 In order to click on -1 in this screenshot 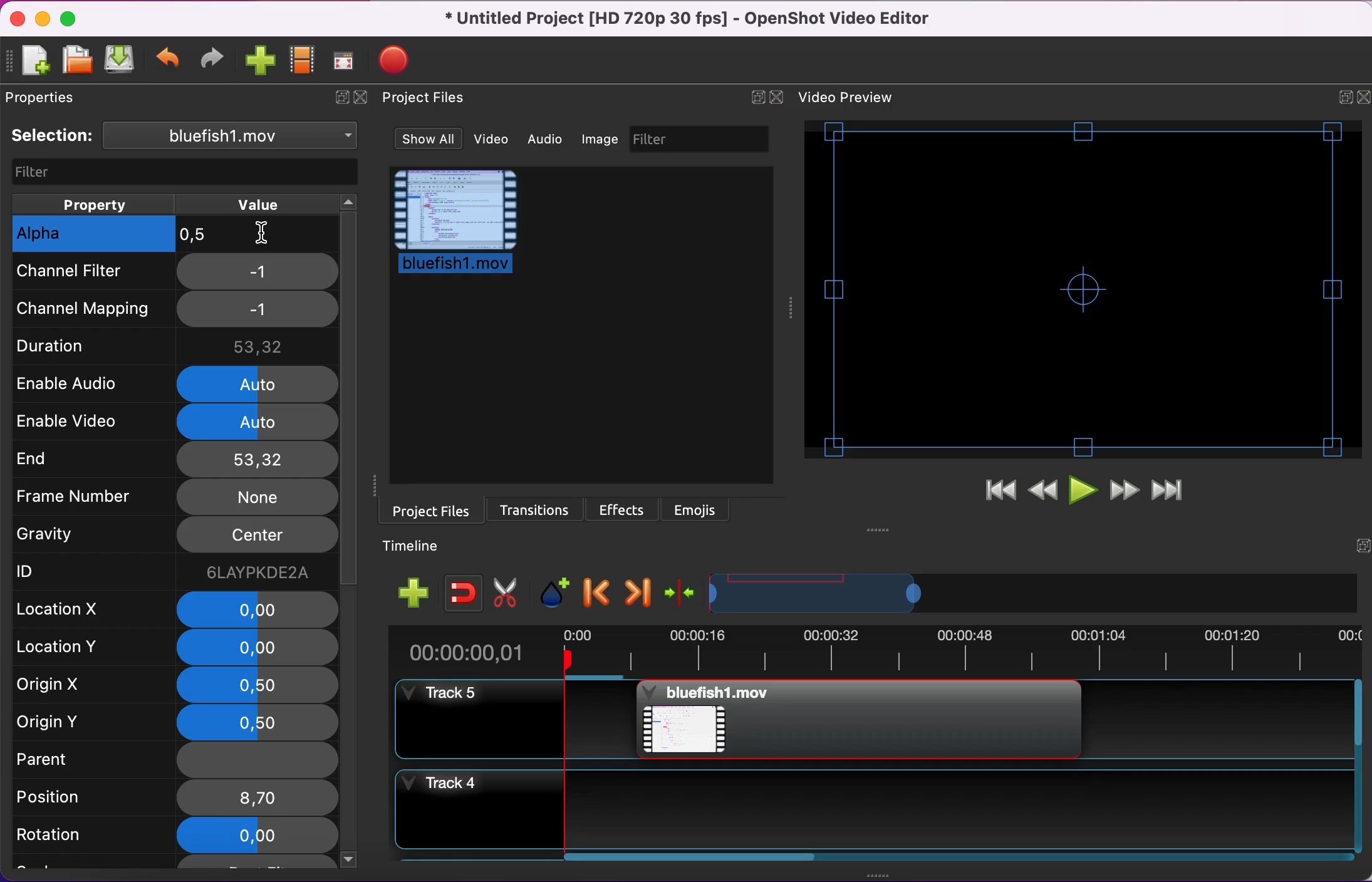, I will do `click(257, 272)`.